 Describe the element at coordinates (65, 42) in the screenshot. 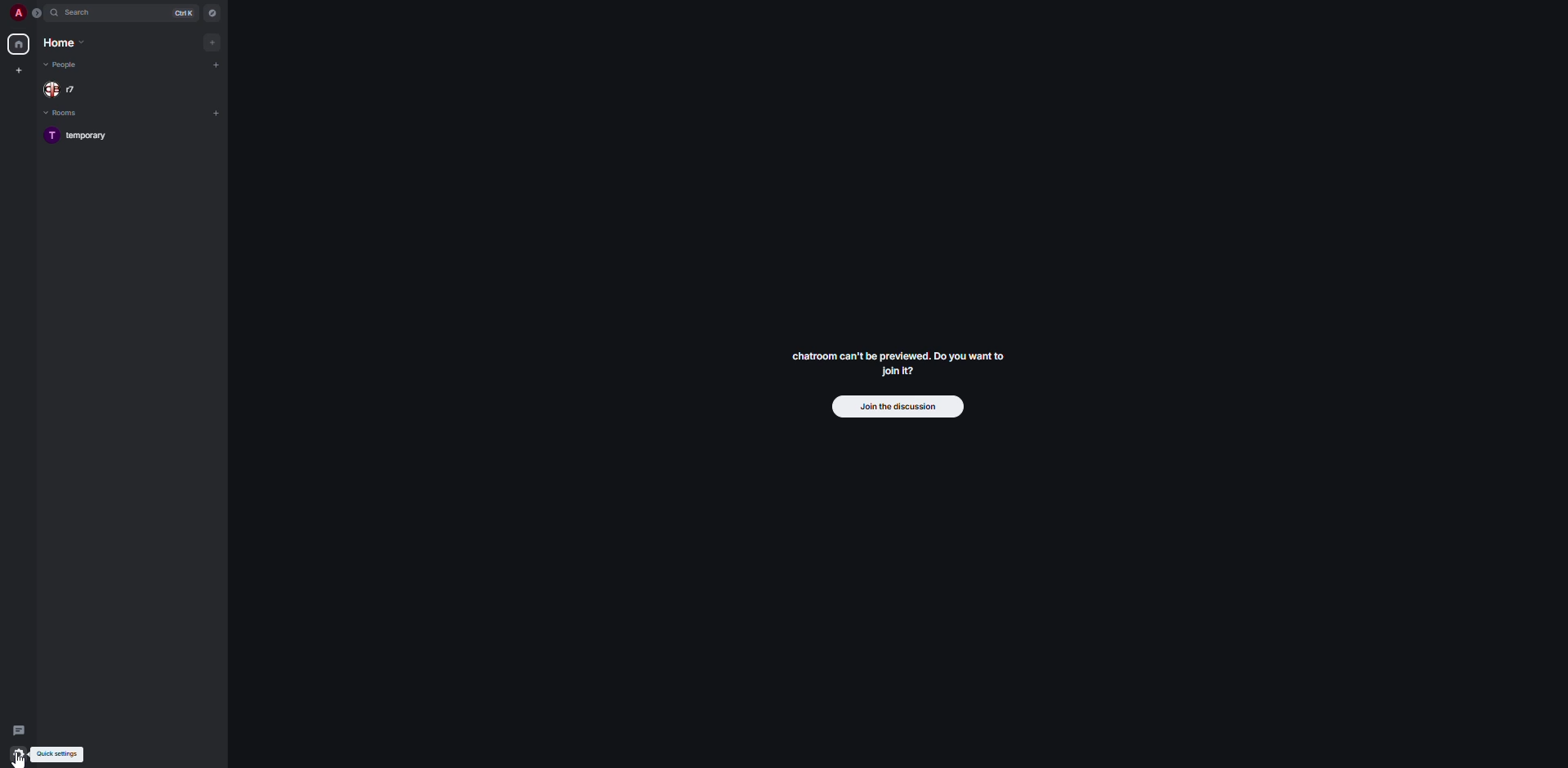

I see `home` at that location.